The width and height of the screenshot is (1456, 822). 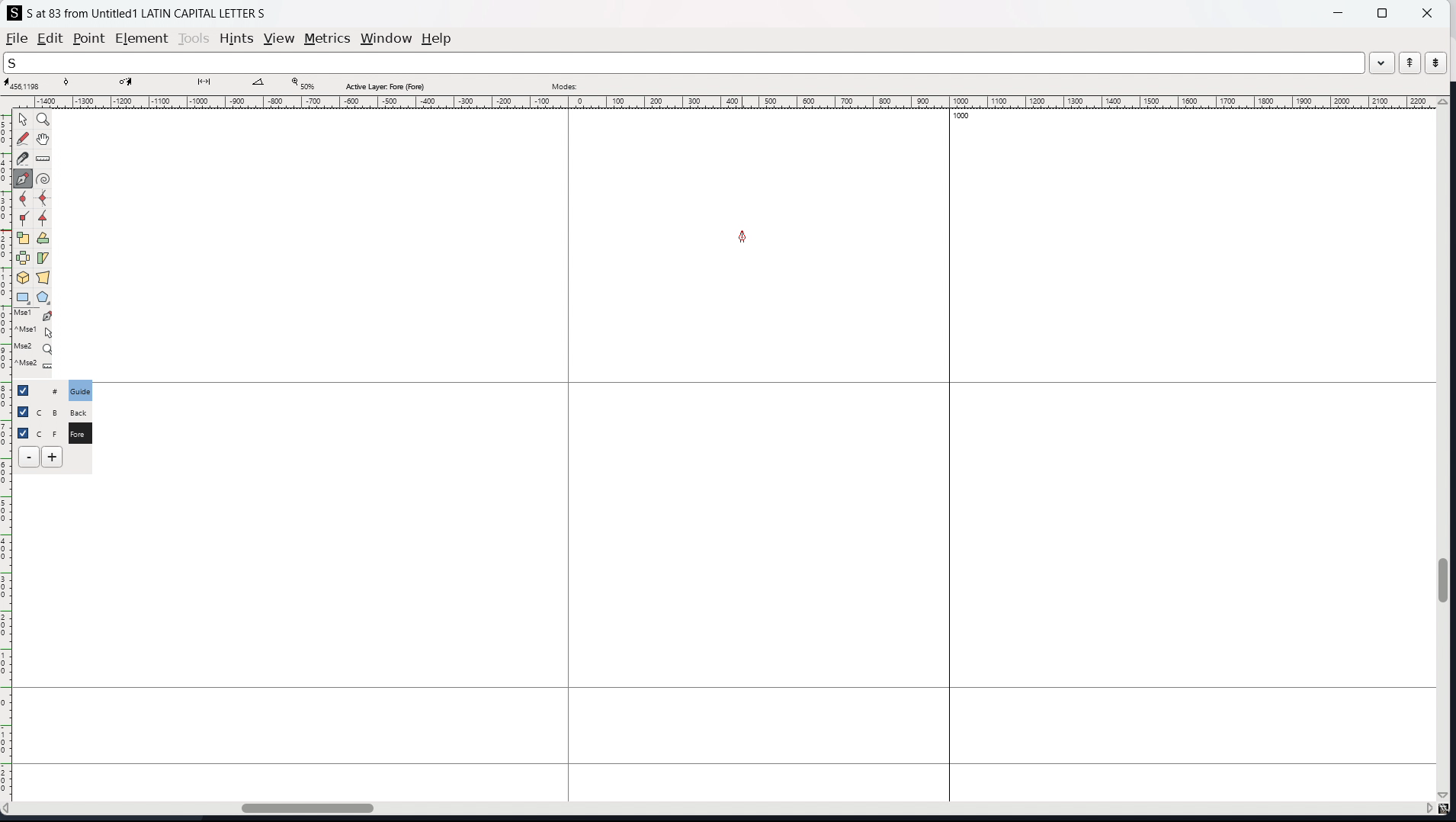 I want to click on curve point coordinate, so click(x=72, y=85).